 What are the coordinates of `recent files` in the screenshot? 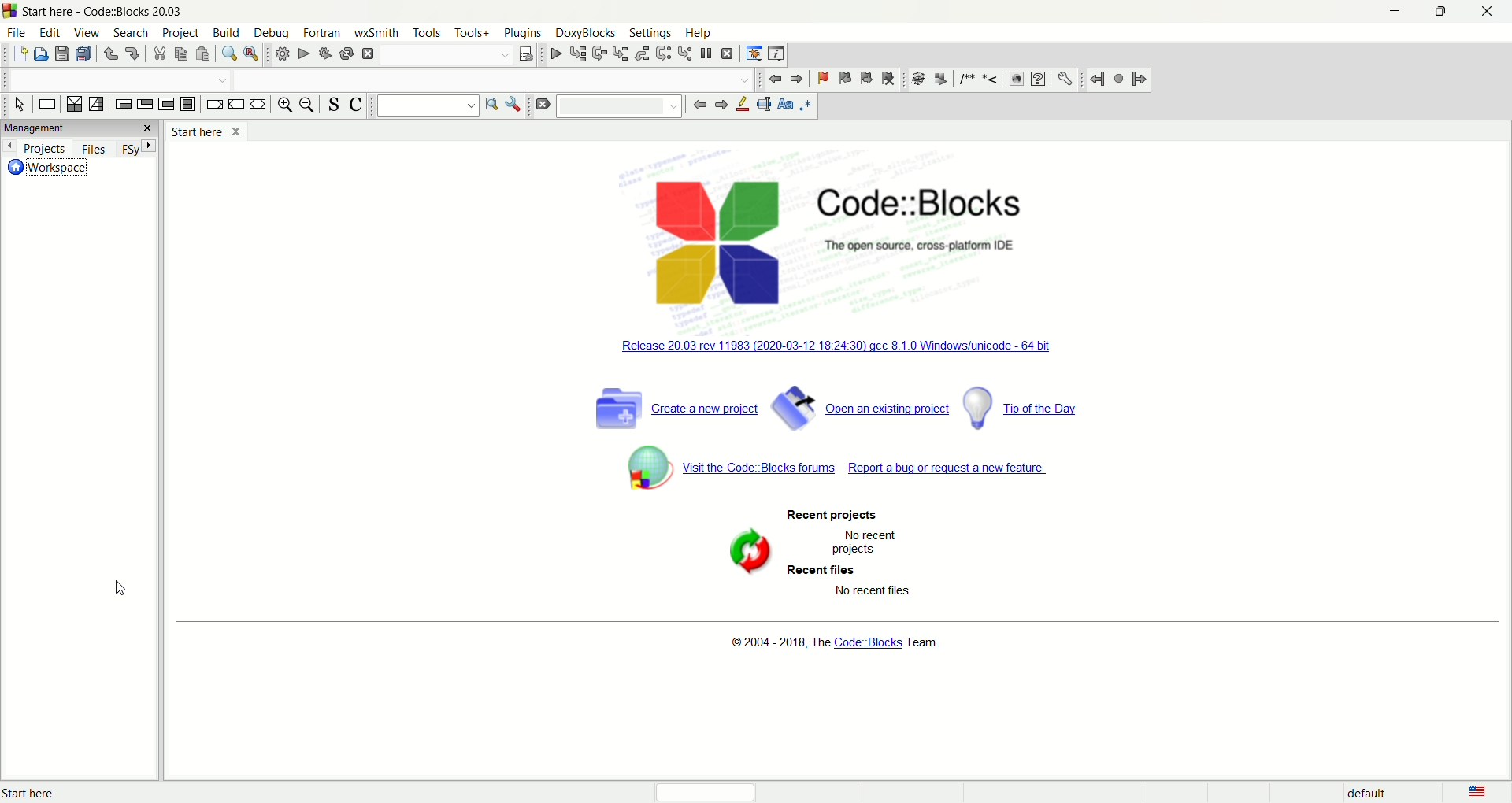 It's located at (826, 572).